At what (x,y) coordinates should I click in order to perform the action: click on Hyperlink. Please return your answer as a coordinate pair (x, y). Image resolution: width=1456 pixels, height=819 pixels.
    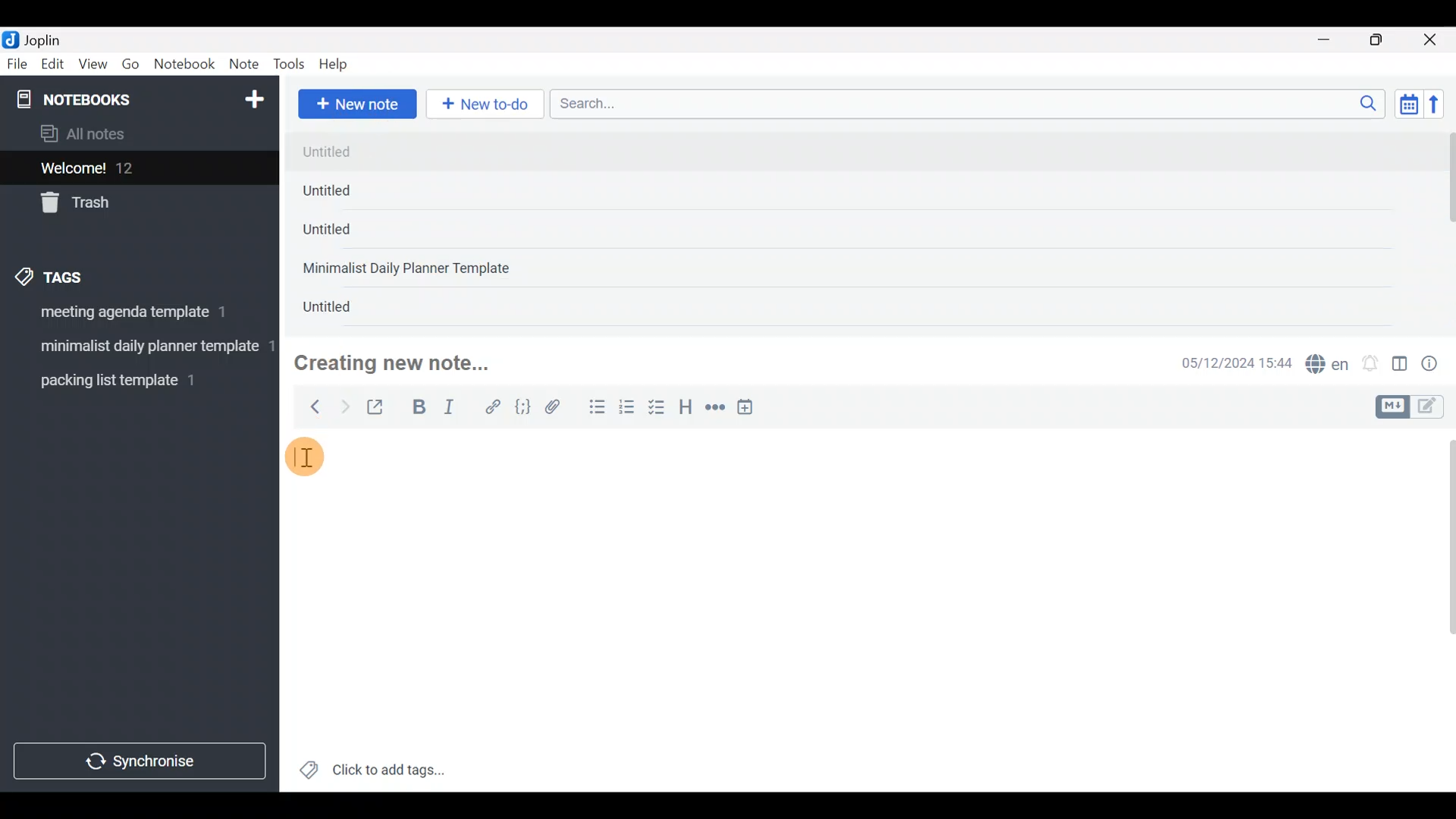
    Looking at the image, I should click on (493, 407).